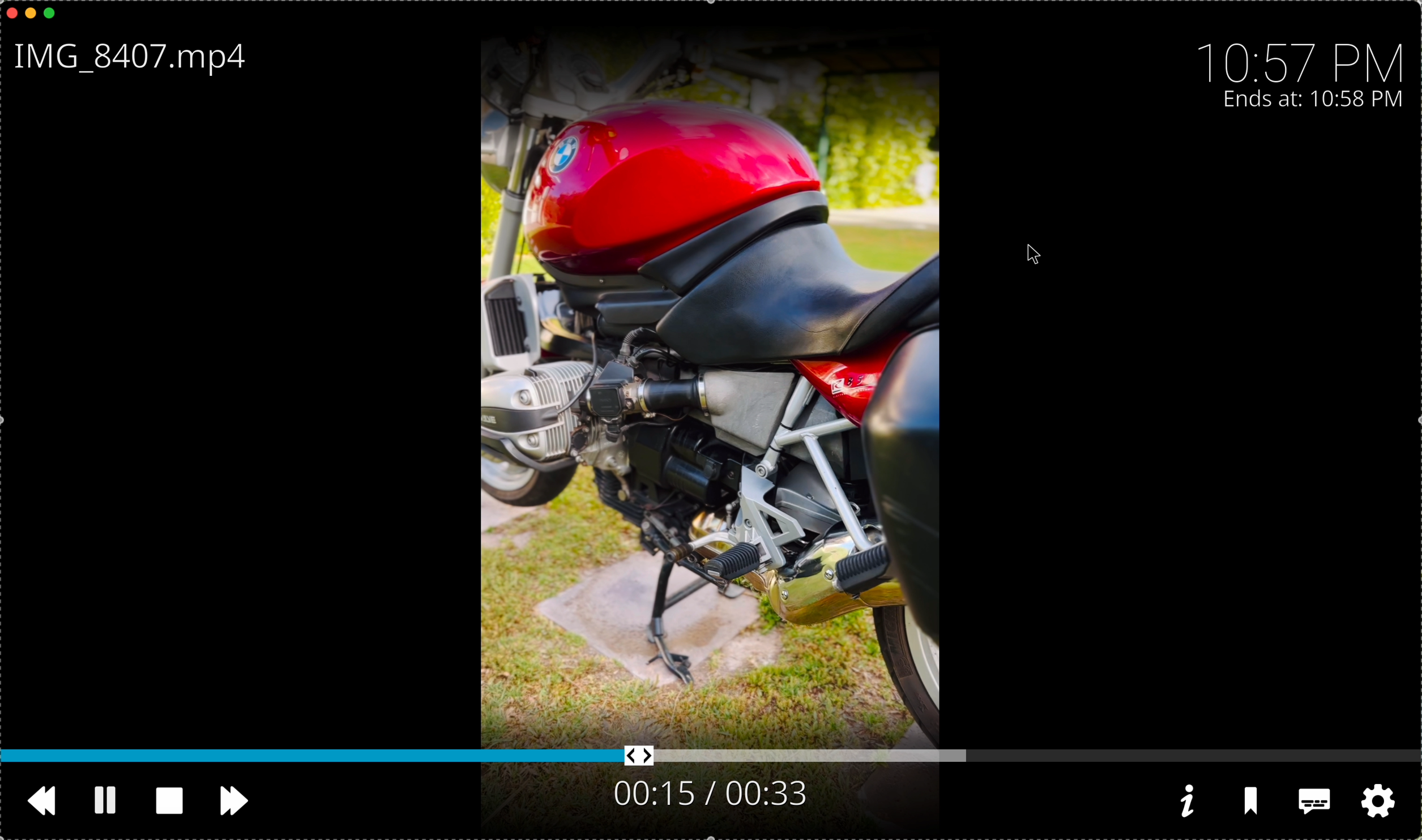 The width and height of the screenshot is (1422, 840). Describe the element at coordinates (136, 59) in the screenshot. I see `IMG_8407.mp4` at that location.